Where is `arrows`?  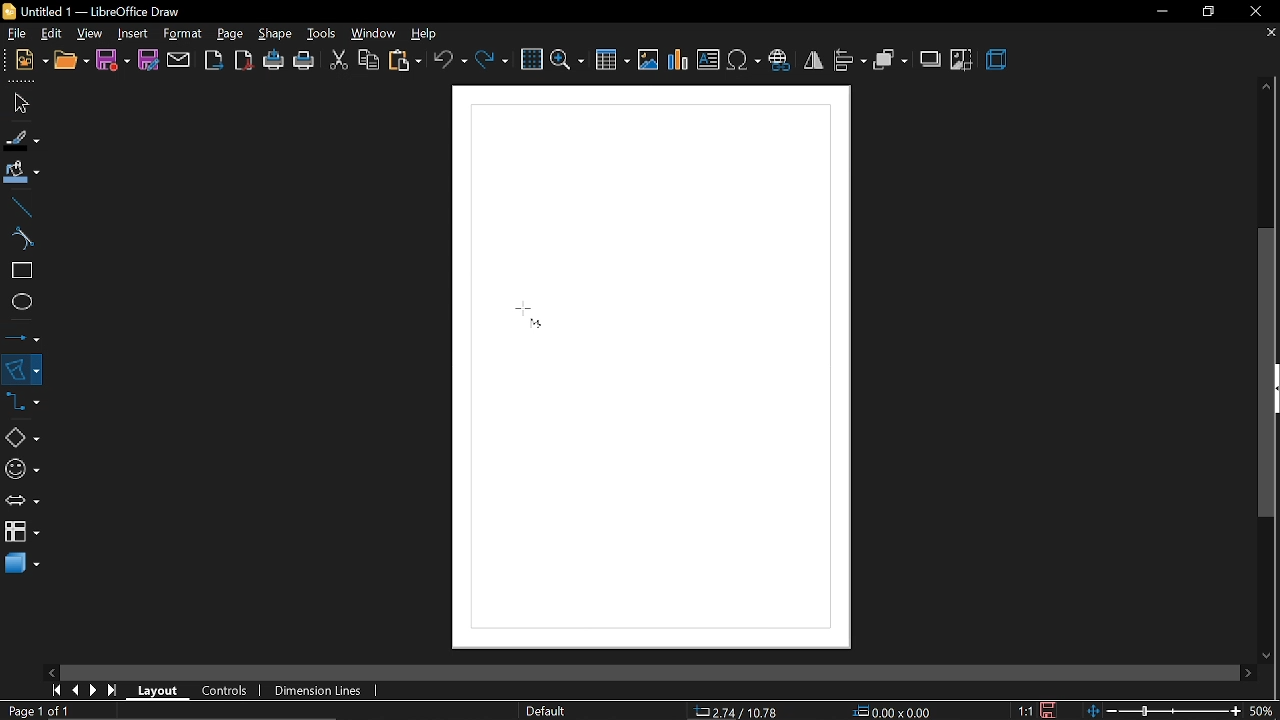 arrows is located at coordinates (22, 502).